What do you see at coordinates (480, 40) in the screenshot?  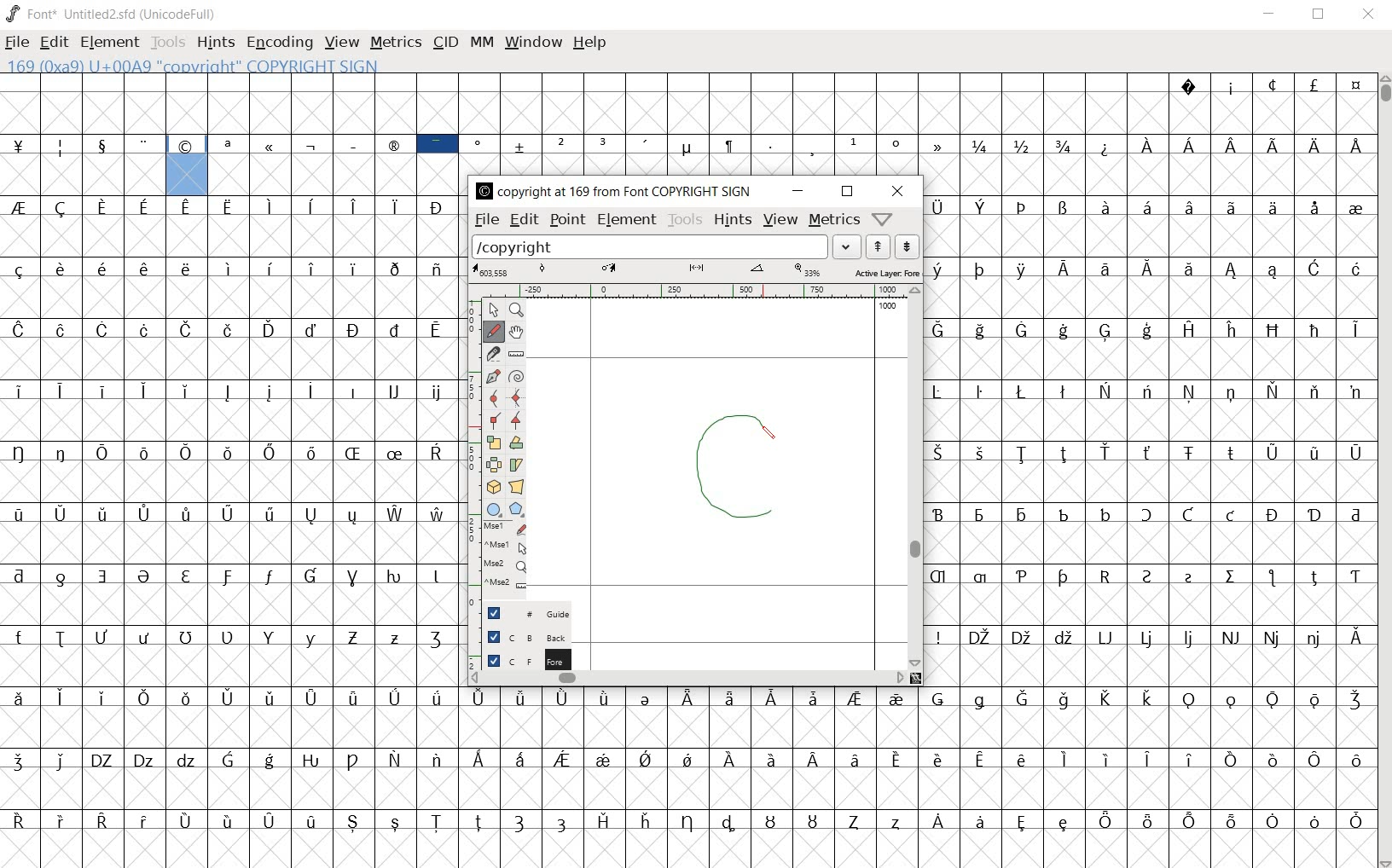 I see `mm` at bounding box center [480, 40].